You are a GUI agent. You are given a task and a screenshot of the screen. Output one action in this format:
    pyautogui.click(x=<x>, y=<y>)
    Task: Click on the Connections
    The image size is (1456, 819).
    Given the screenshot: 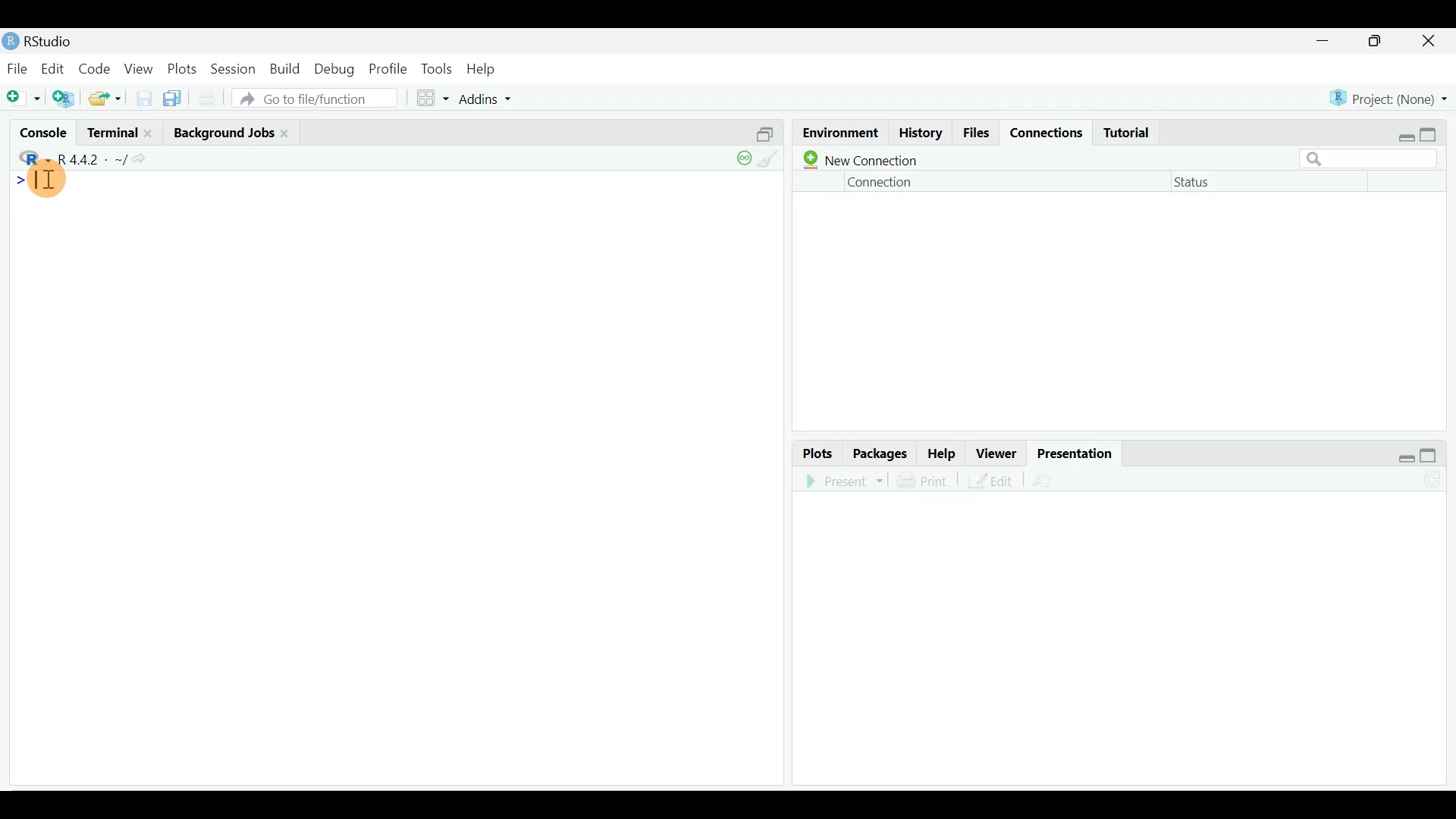 What is the action you would take?
    pyautogui.click(x=1042, y=129)
    